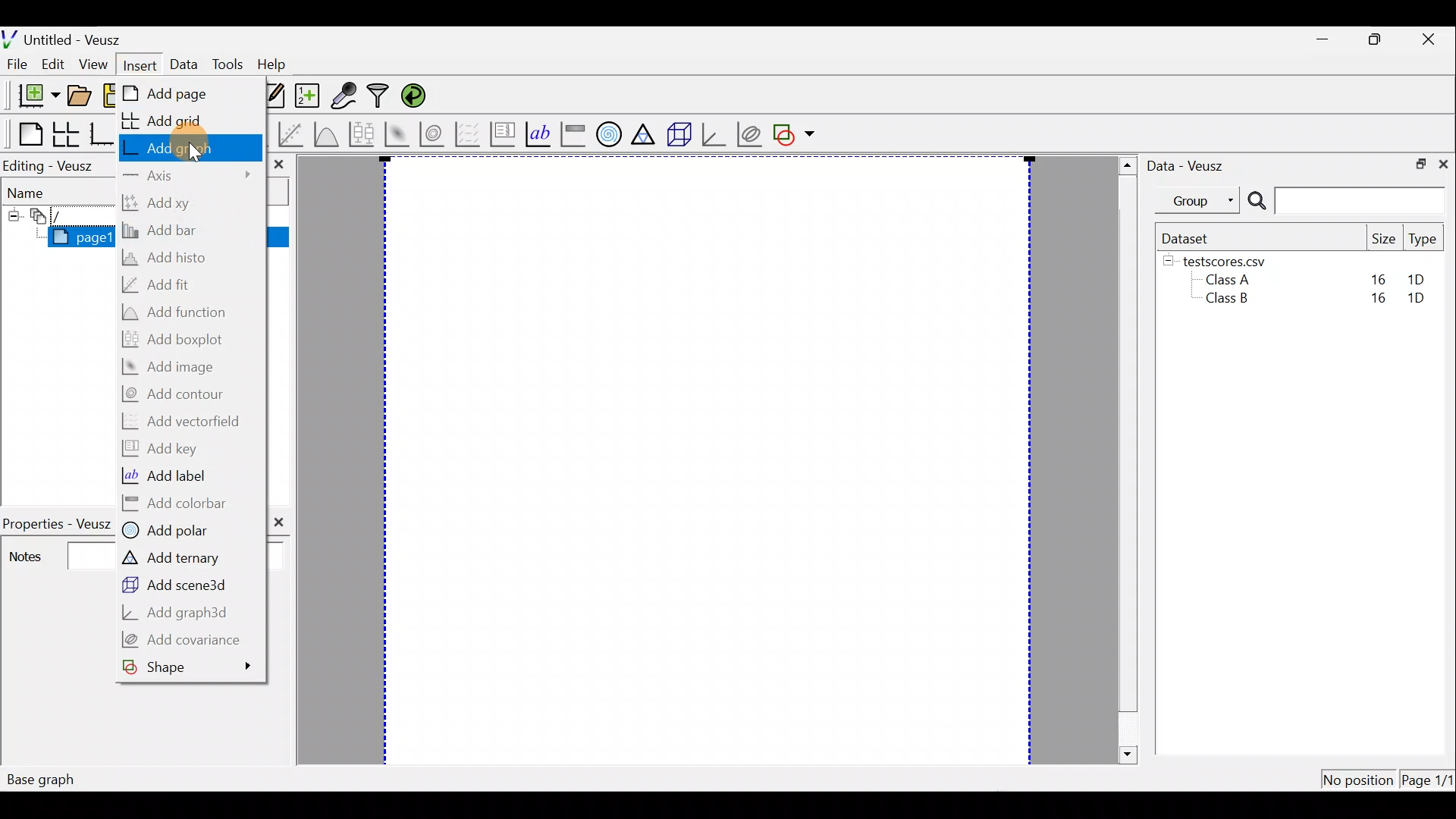  Describe the element at coordinates (278, 65) in the screenshot. I see `Help` at that location.